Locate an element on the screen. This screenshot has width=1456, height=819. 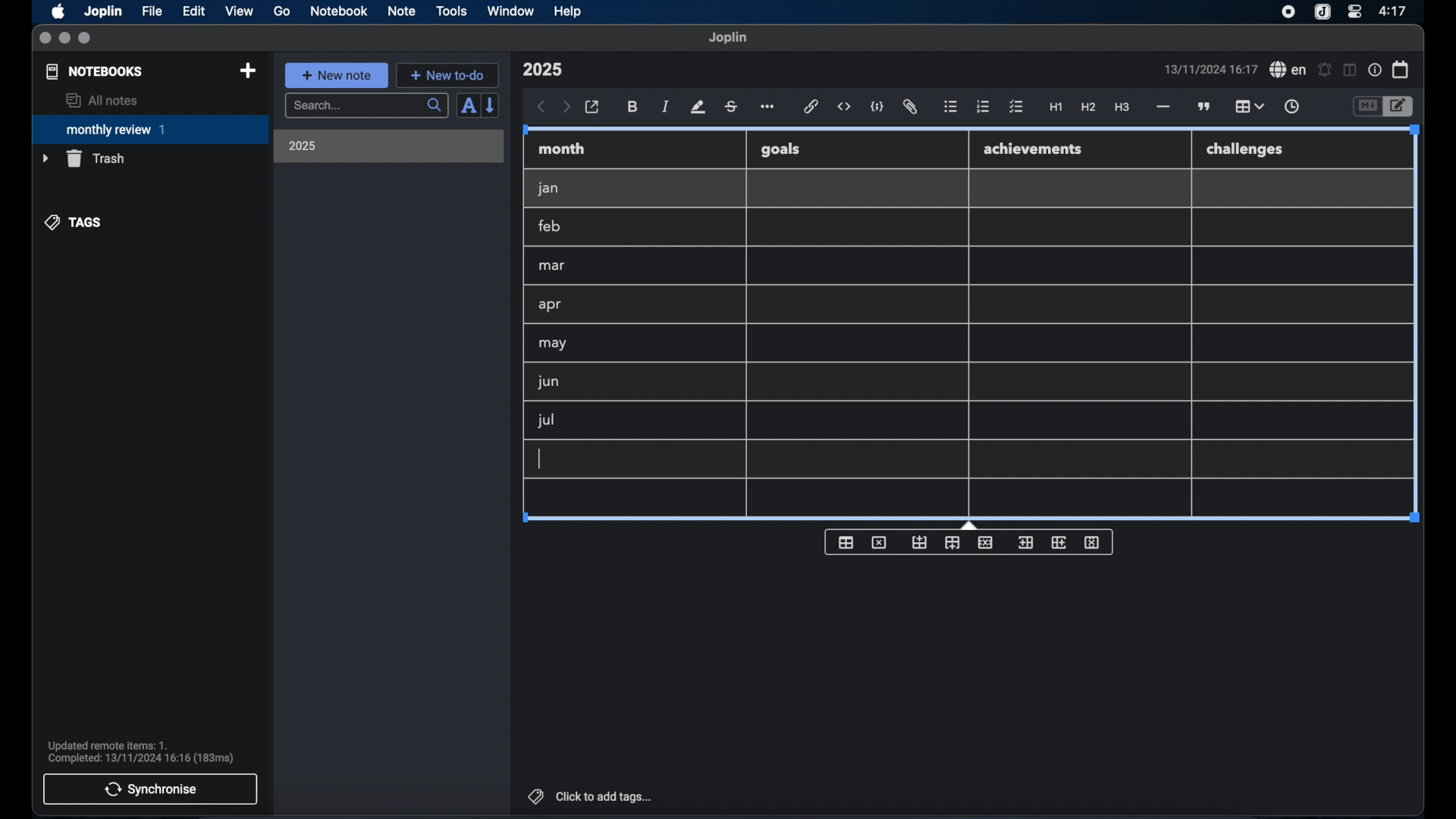
sync notification is located at coordinates (141, 752).